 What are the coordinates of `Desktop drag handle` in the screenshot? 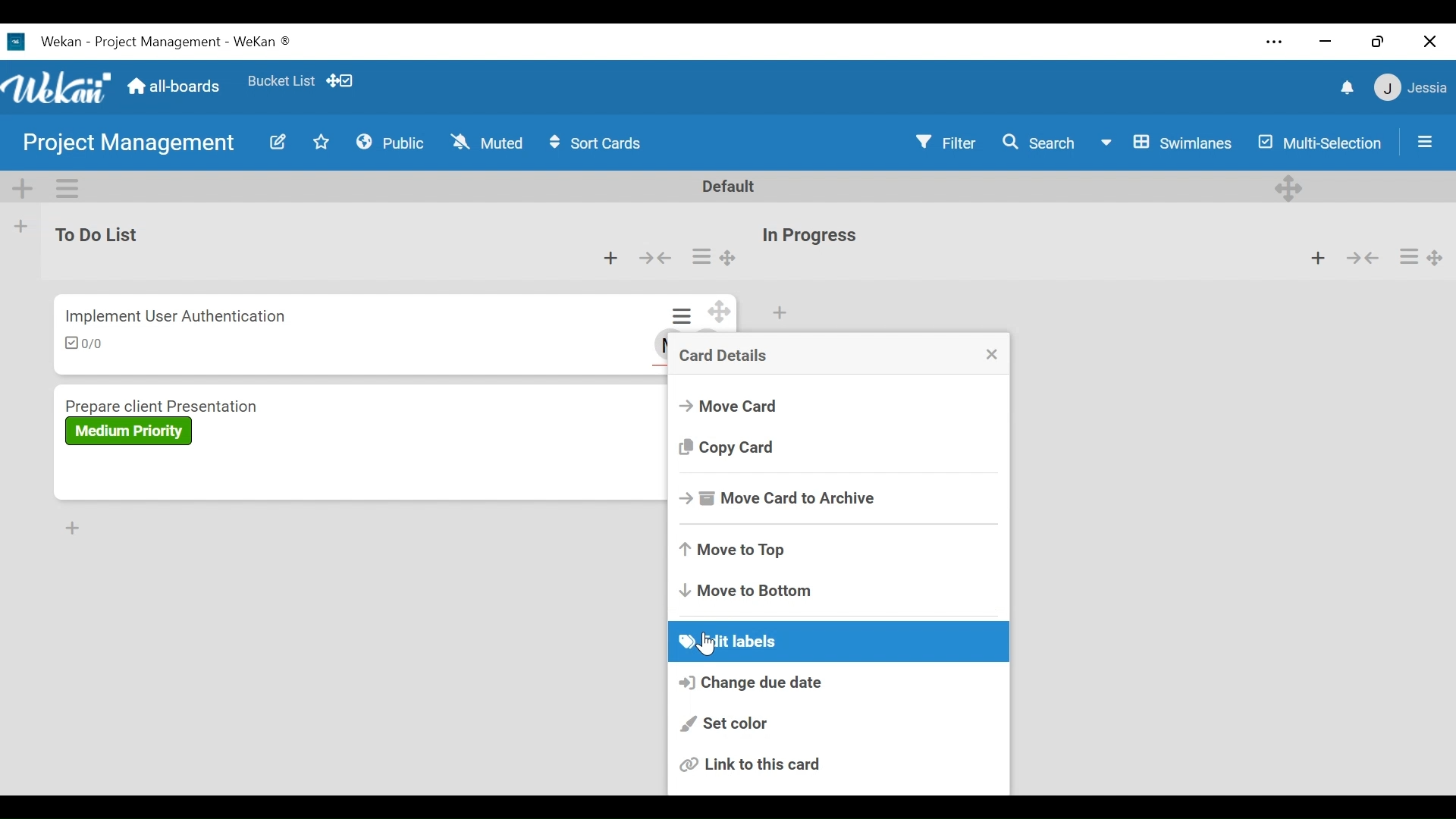 It's located at (729, 259).